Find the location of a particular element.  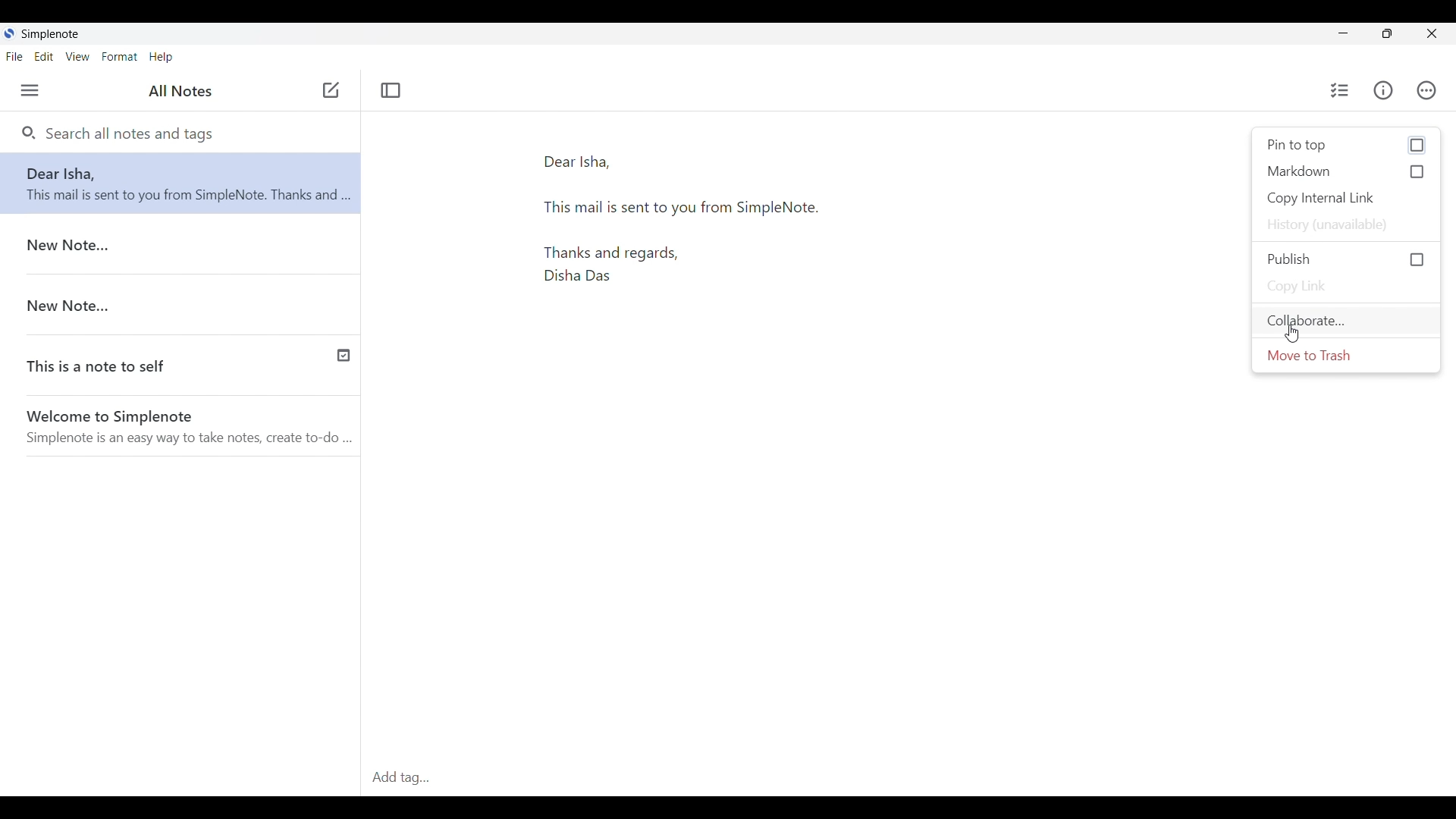

Actions is located at coordinates (1426, 90).